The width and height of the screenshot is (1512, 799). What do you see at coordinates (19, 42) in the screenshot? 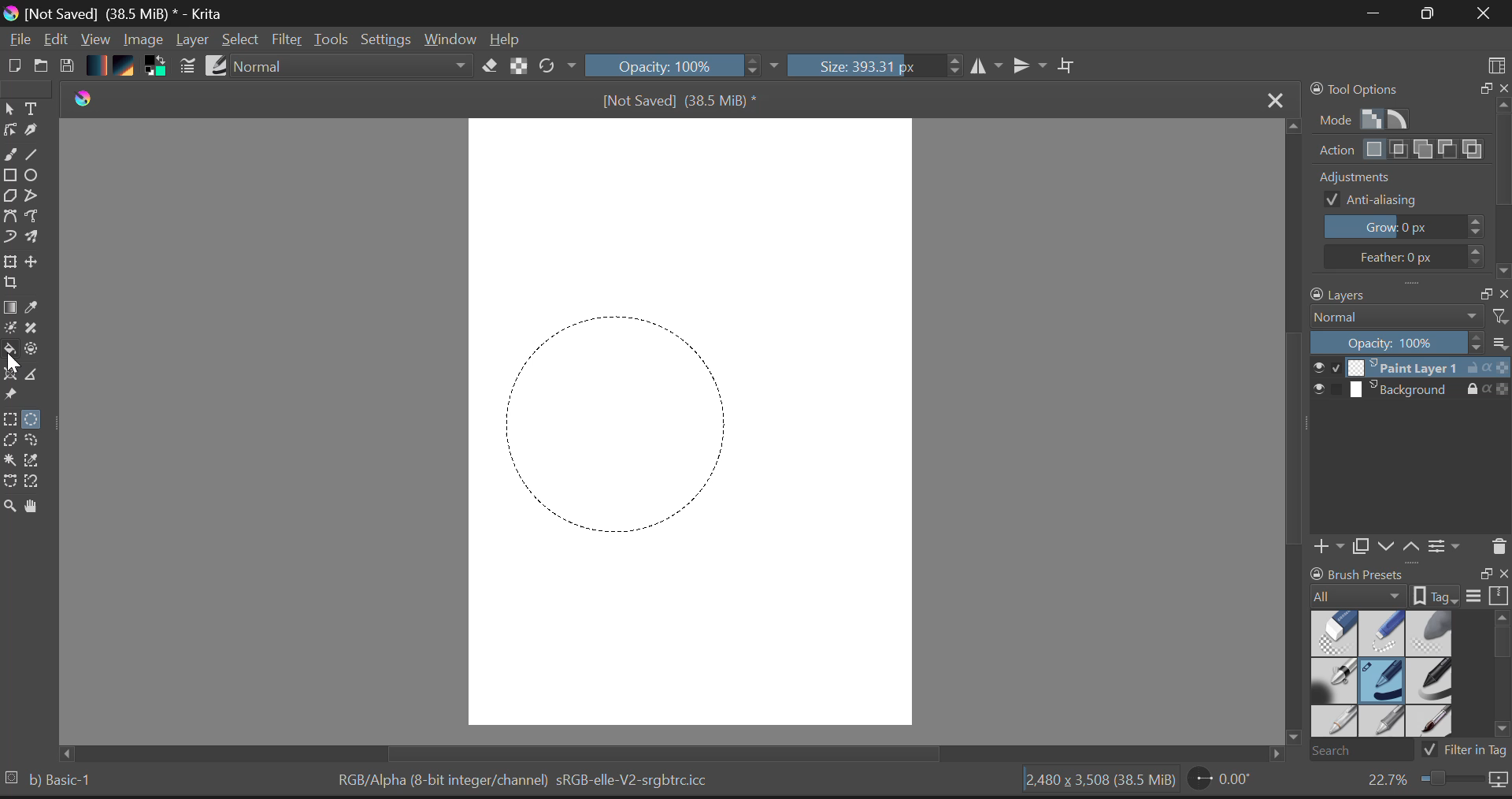
I see `File` at bounding box center [19, 42].